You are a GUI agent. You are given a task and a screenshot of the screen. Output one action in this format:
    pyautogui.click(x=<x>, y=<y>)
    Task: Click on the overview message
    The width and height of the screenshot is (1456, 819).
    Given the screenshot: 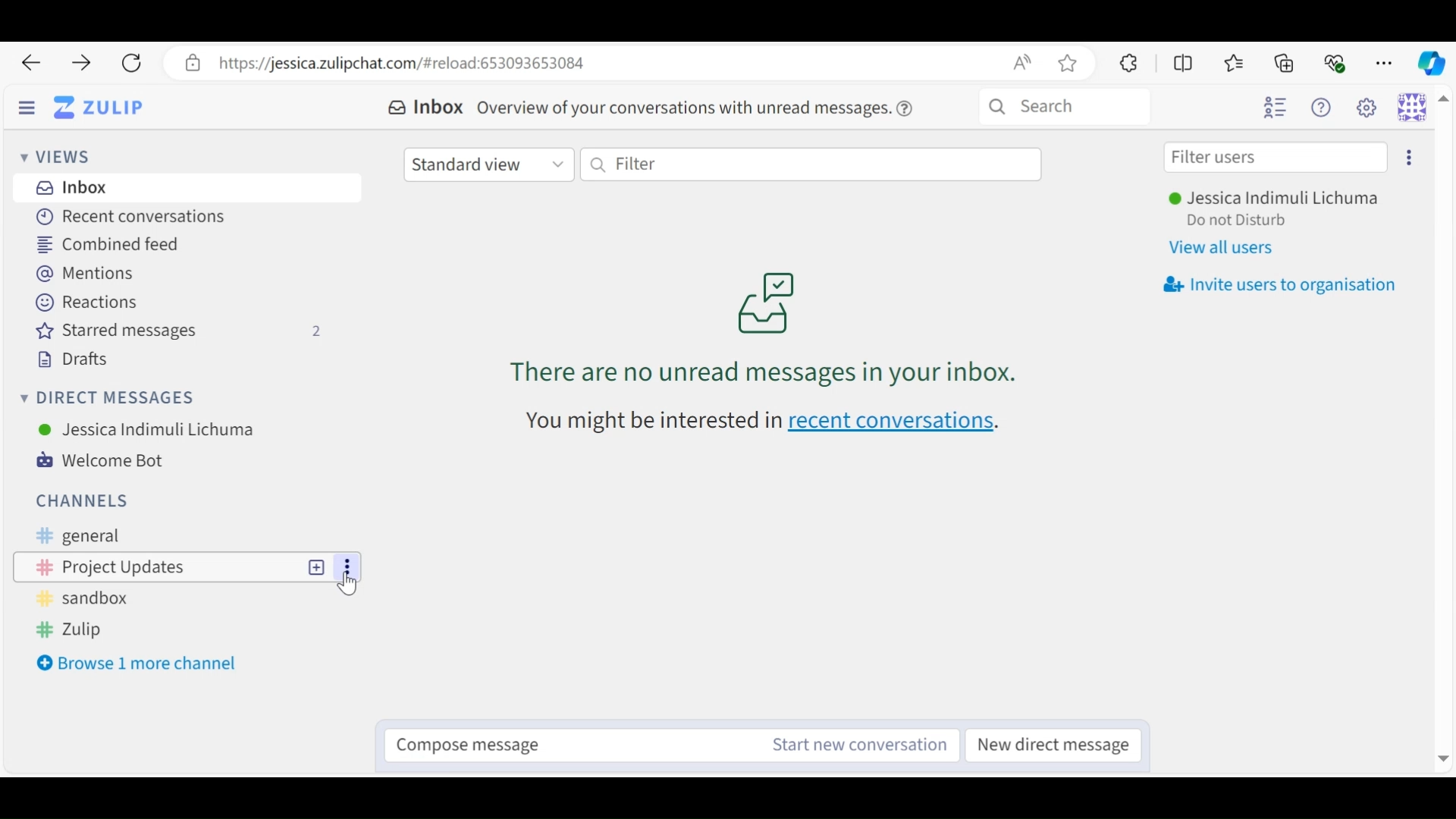 What is the action you would take?
    pyautogui.click(x=697, y=107)
    